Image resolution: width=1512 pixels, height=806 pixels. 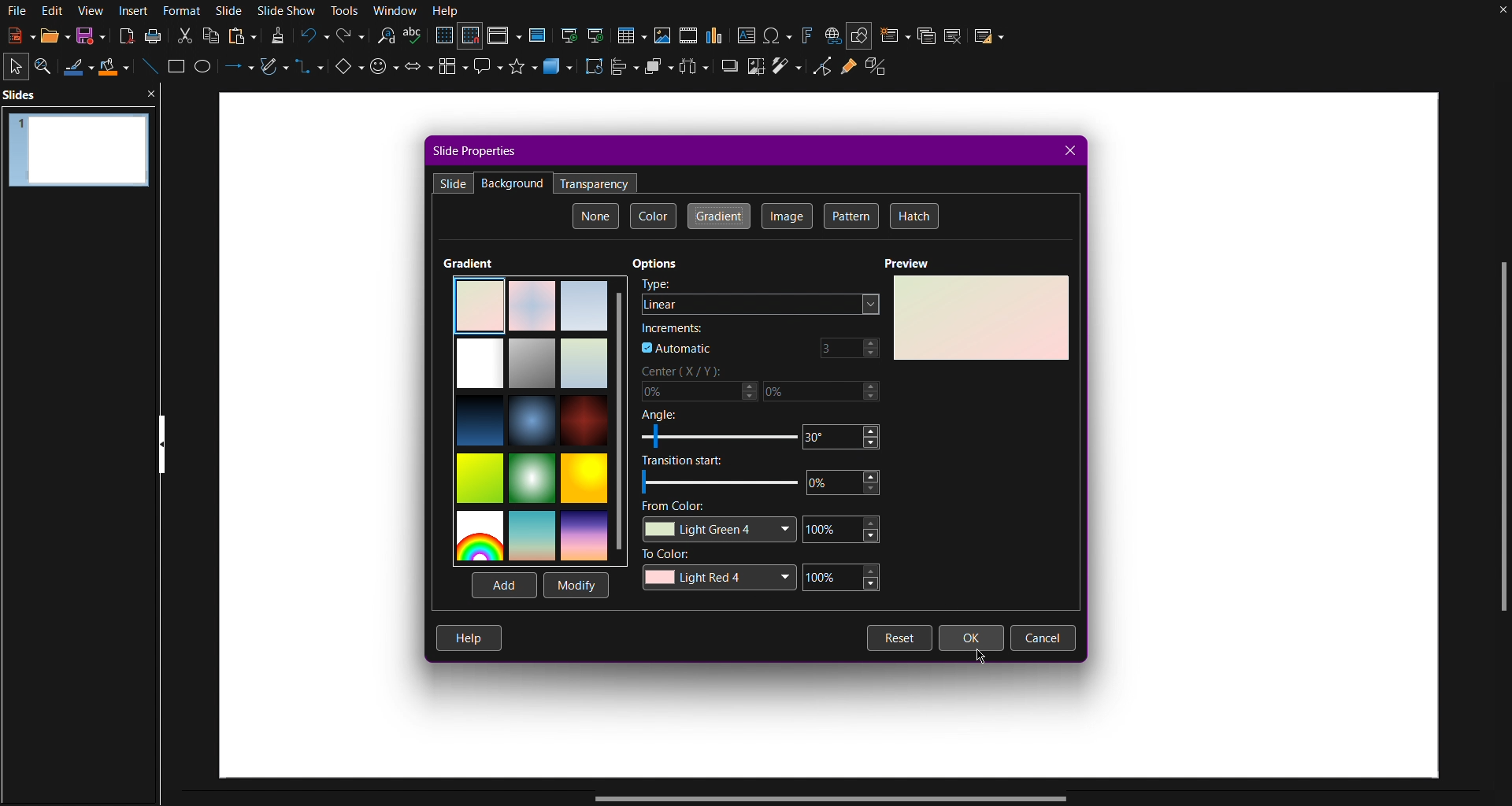 I want to click on Spellcheck, so click(x=414, y=37).